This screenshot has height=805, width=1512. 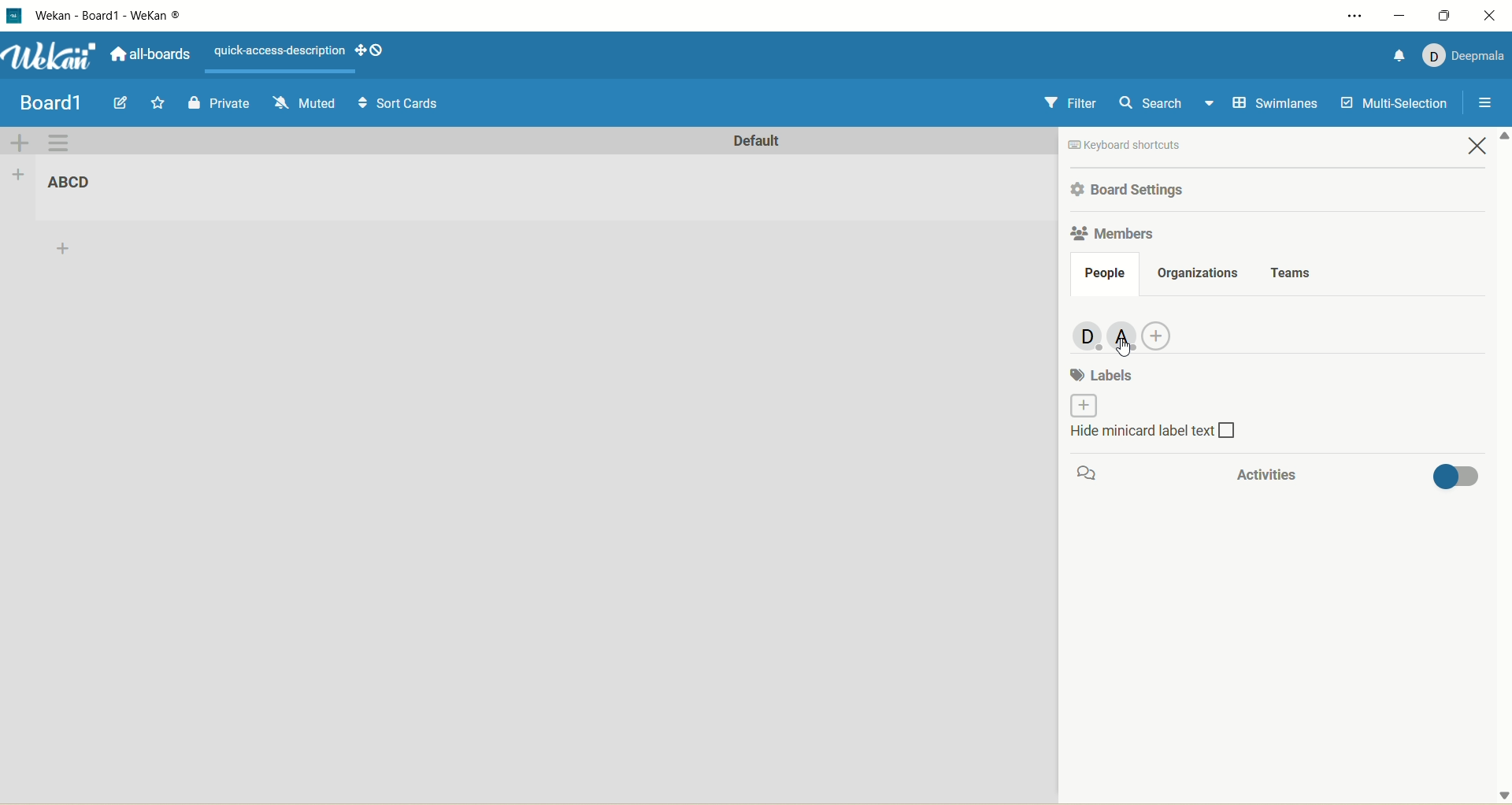 What do you see at coordinates (1397, 15) in the screenshot?
I see `minimize` at bounding box center [1397, 15].